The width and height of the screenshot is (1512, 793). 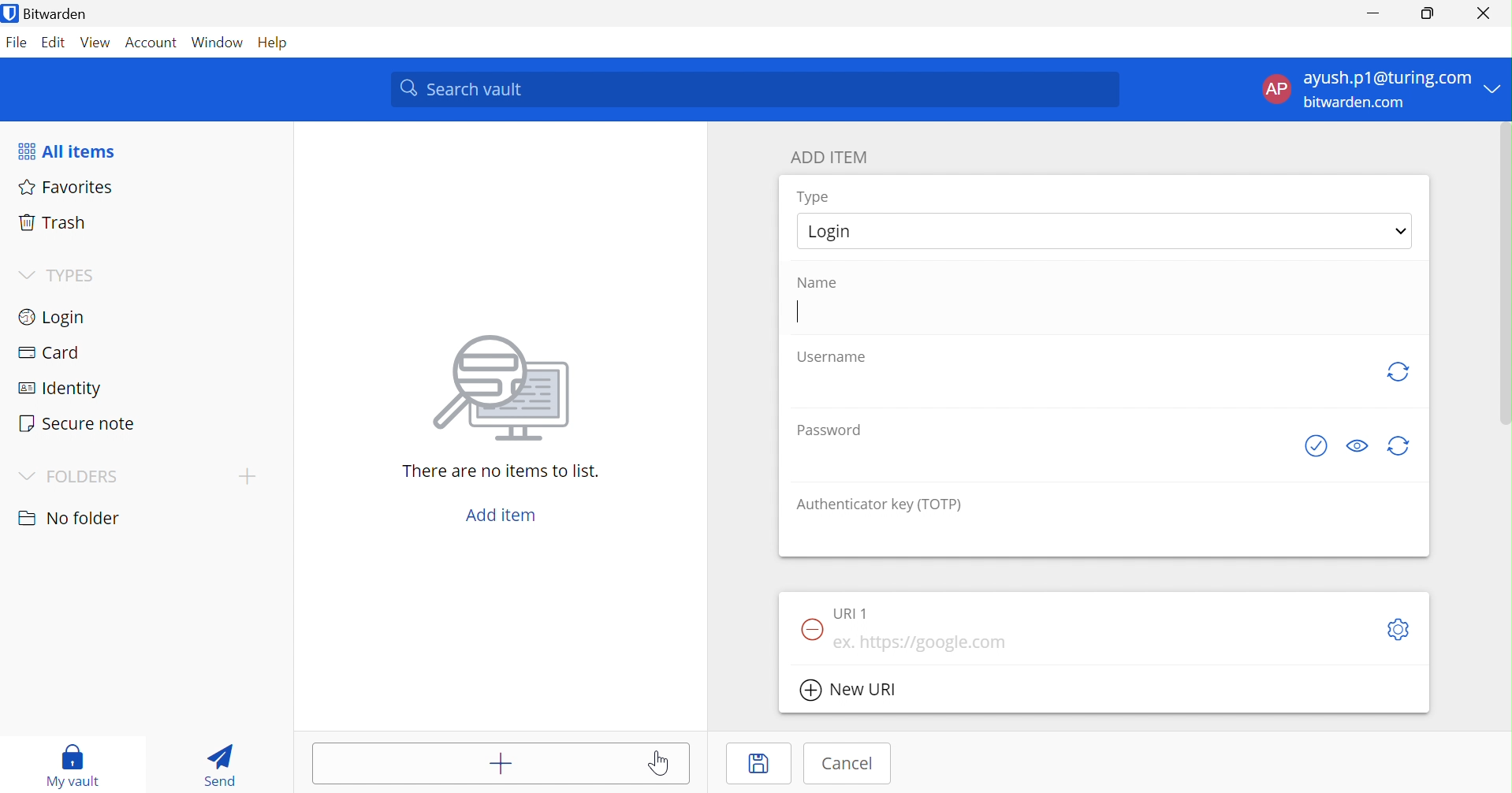 What do you see at coordinates (279, 43) in the screenshot?
I see `Help` at bounding box center [279, 43].